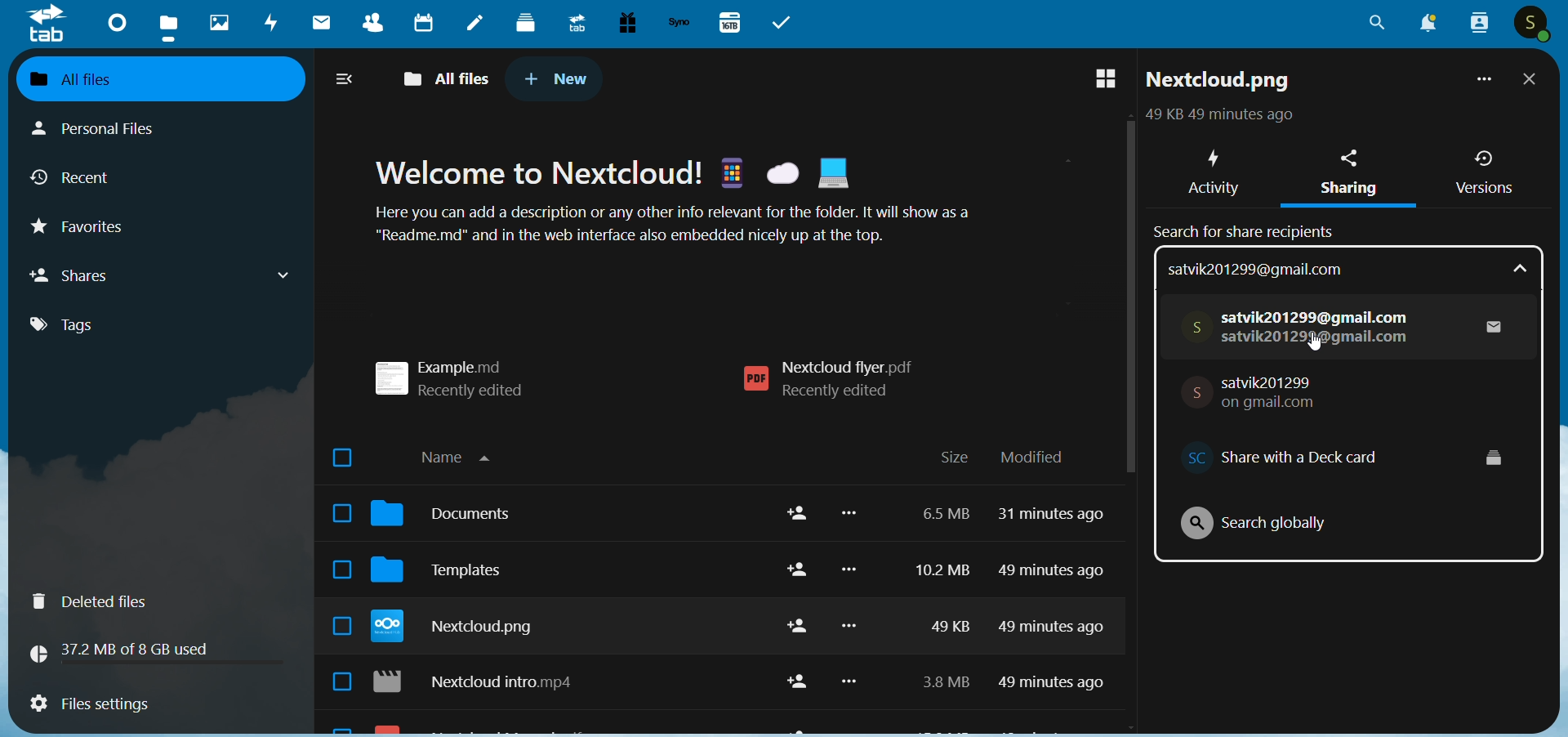  I want to click on dock, so click(526, 22).